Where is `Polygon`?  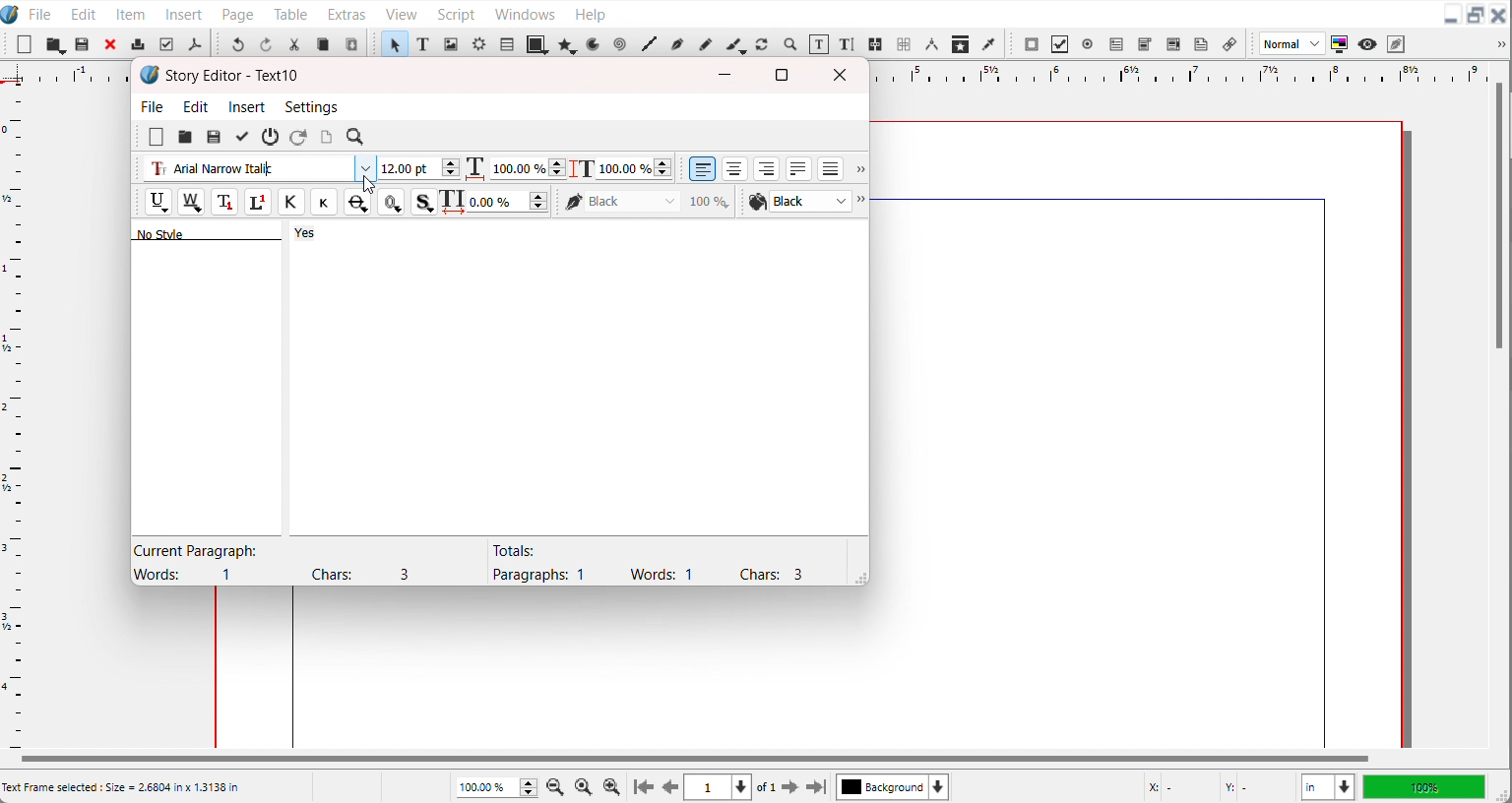 Polygon is located at coordinates (568, 44).